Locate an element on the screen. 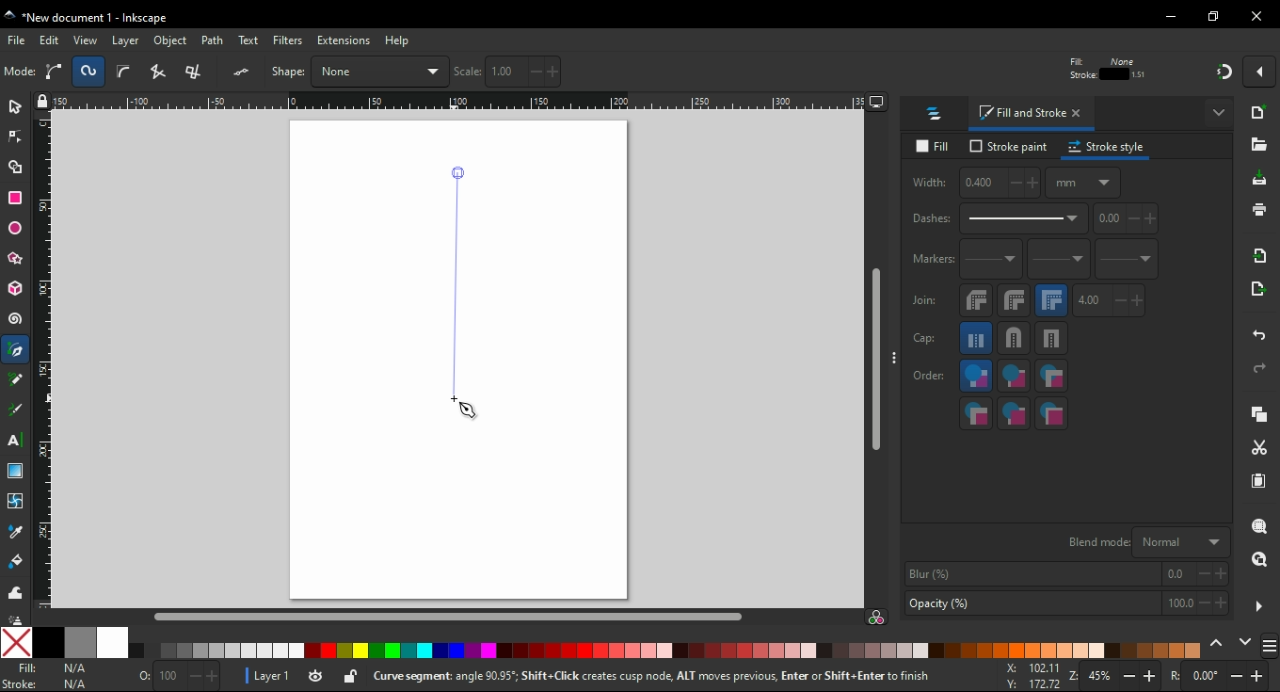 The width and height of the screenshot is (1280, 692). print is located at coordinates (1258, 209).